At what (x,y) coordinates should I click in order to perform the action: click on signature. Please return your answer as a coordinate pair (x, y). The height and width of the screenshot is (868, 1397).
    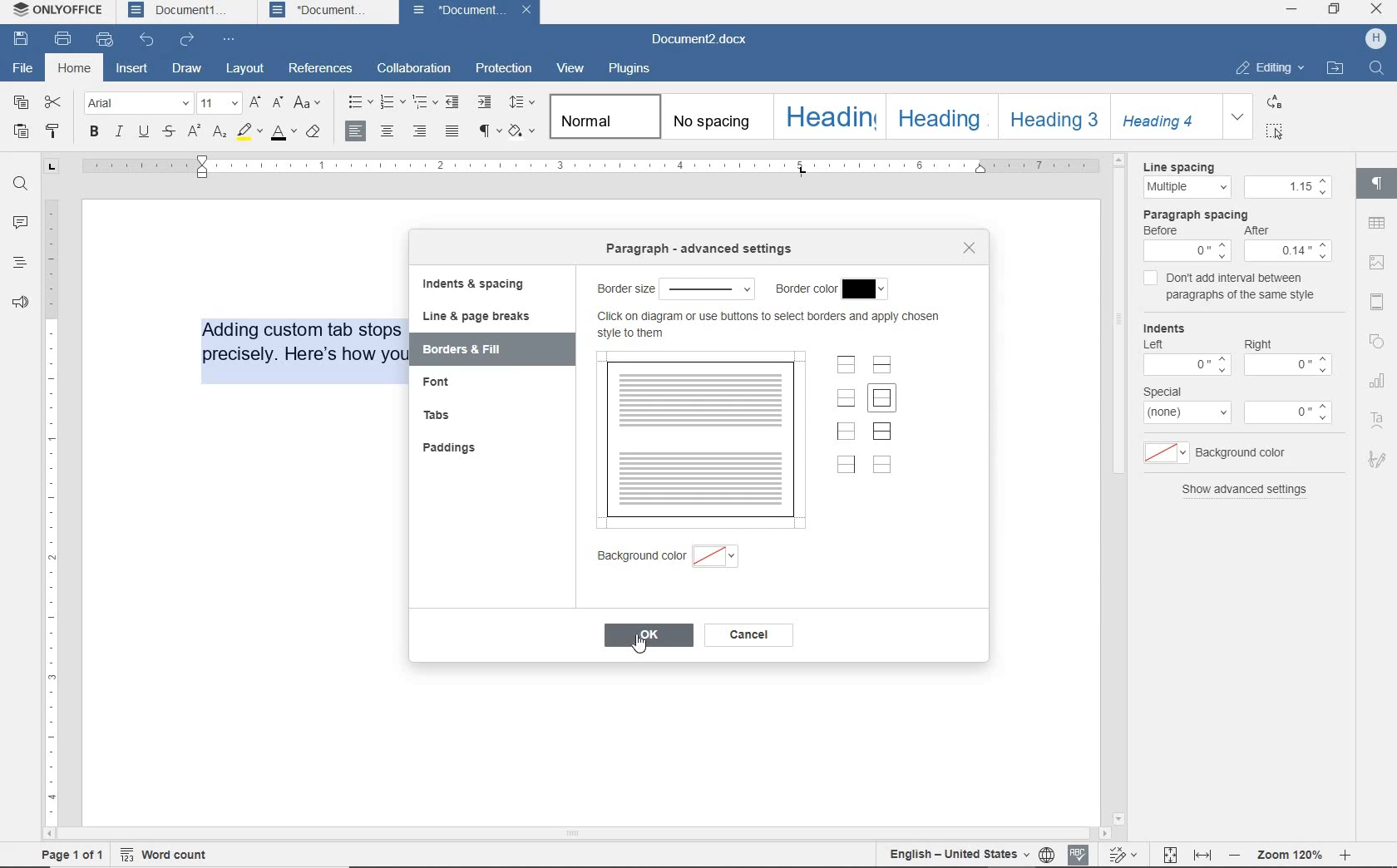
    Looking at the image, I should click on (1379, 456).